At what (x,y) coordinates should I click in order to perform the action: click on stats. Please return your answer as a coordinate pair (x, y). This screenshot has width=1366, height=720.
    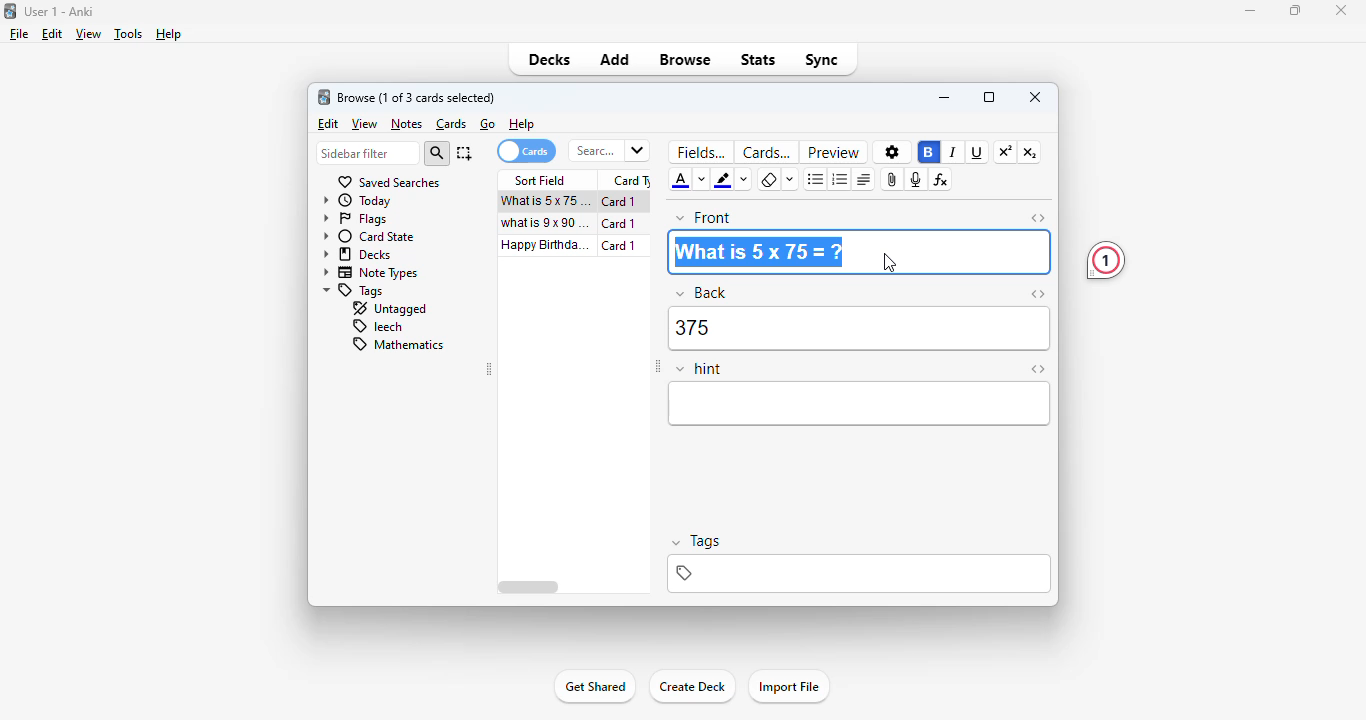
    Looking at the image, I should click on (758, 61).